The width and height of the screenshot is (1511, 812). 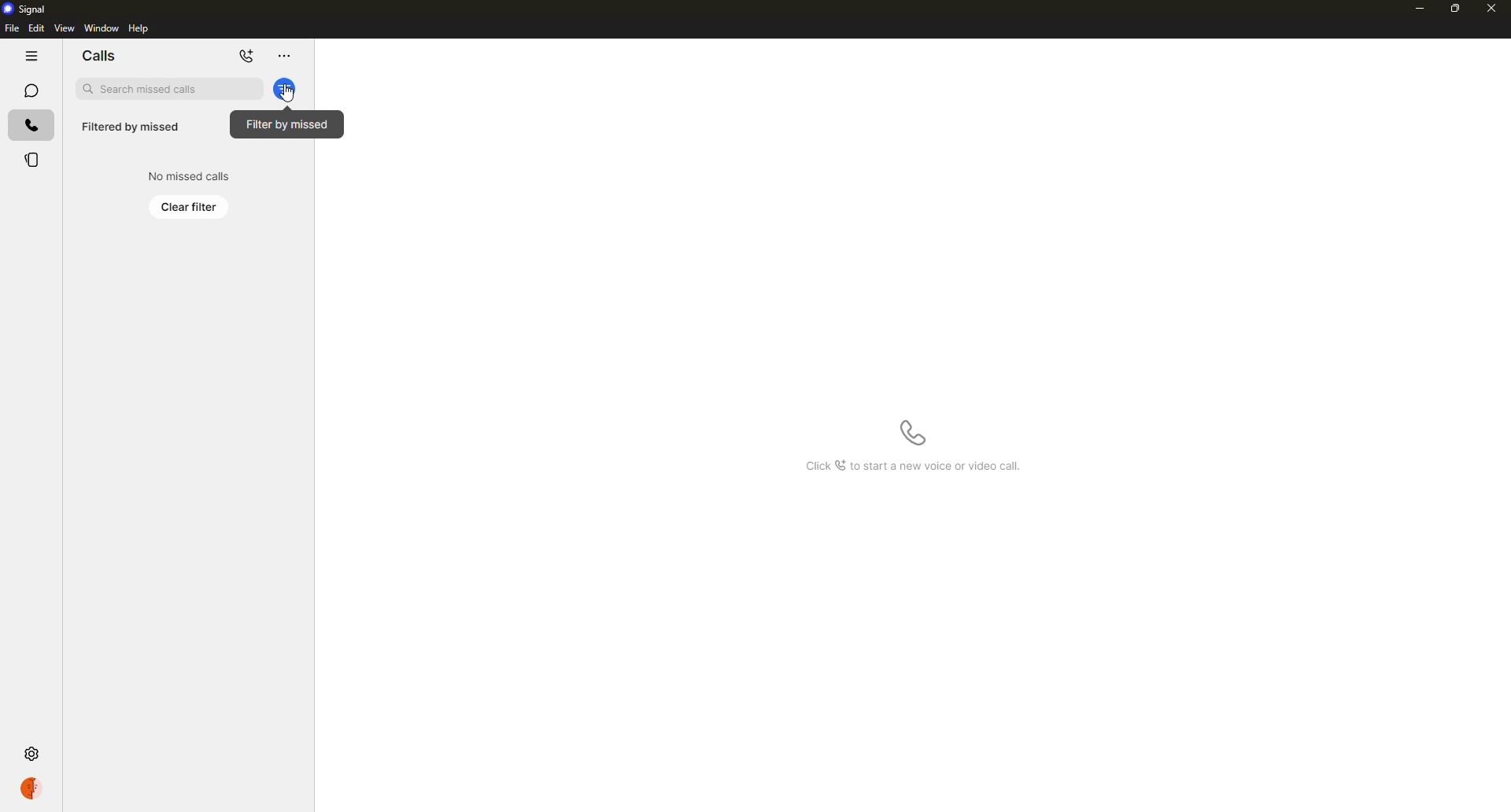 What do you see at coordinates (11, 28) in the screenshot?
I see `file` at bounding box center [11, 28].